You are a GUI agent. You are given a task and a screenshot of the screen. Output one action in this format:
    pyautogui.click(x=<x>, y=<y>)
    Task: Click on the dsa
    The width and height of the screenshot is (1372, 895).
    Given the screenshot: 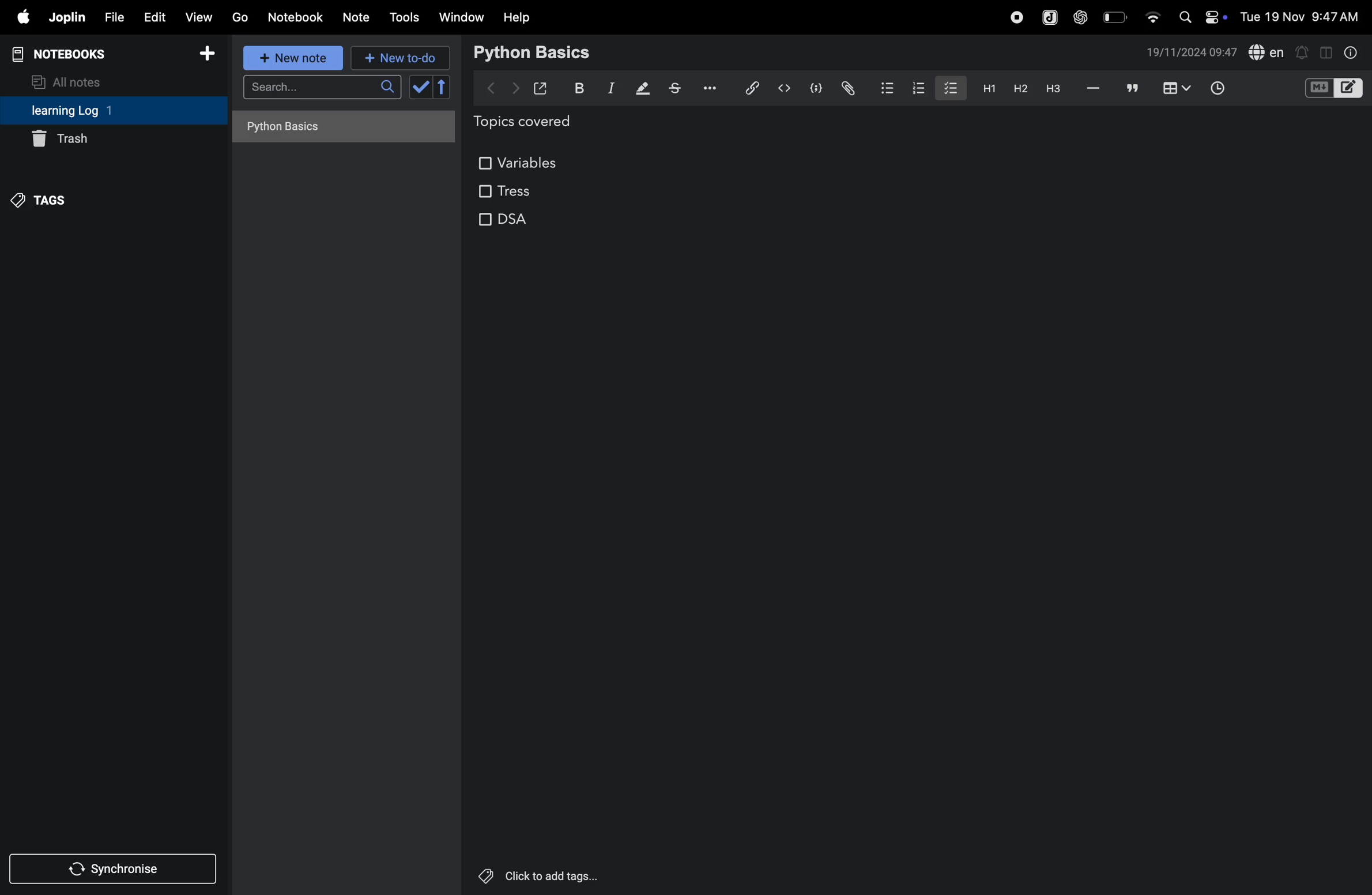 What is the action you would take?
    pyautogui.click(x=512, y=225)
    